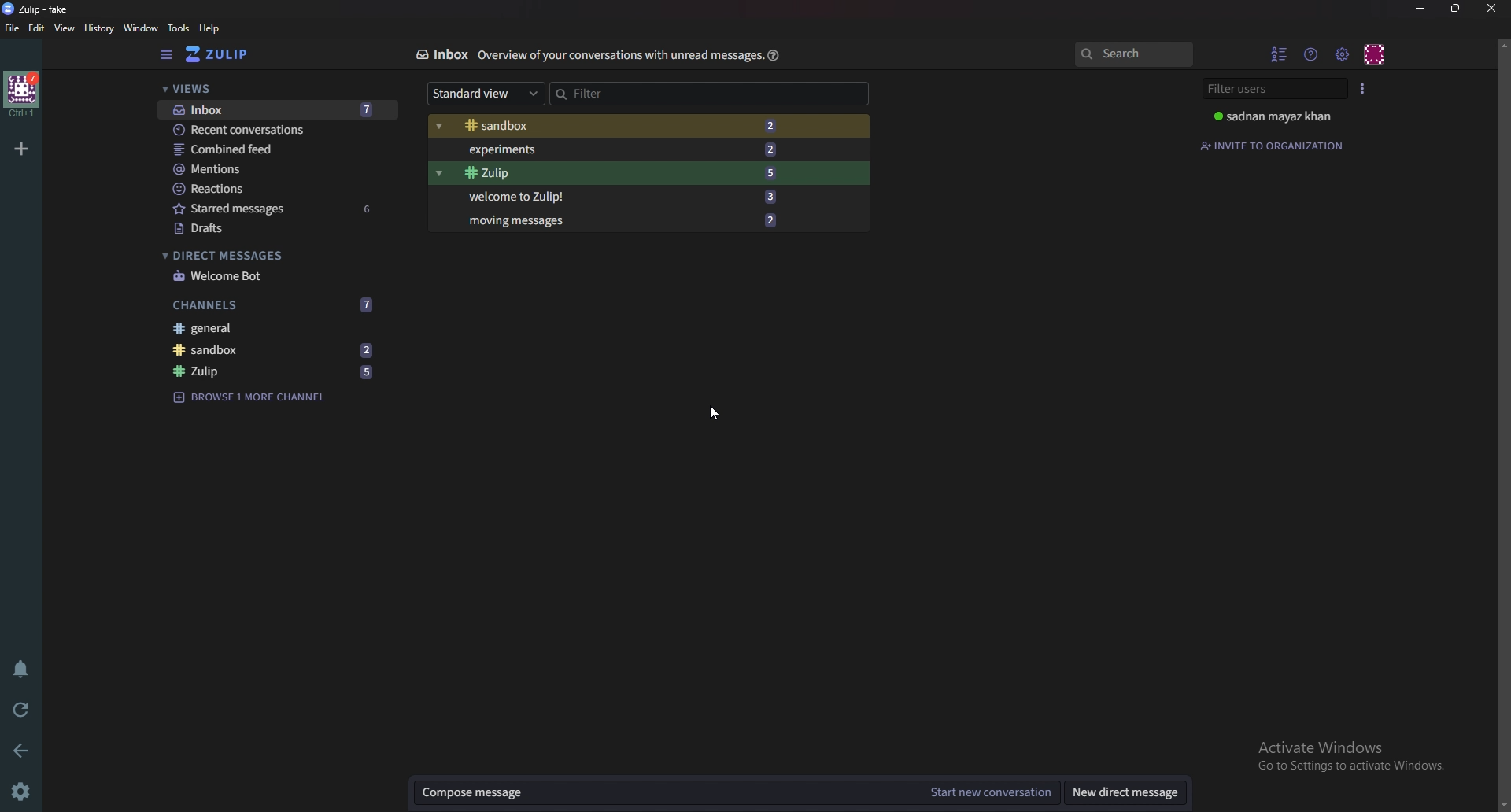 Image resolution: width=1511 pixels, height=812 pixels. What do you see at coordinates (279, 372) in the screenshot?
I see `zulip` at bounding box center [279, 372].